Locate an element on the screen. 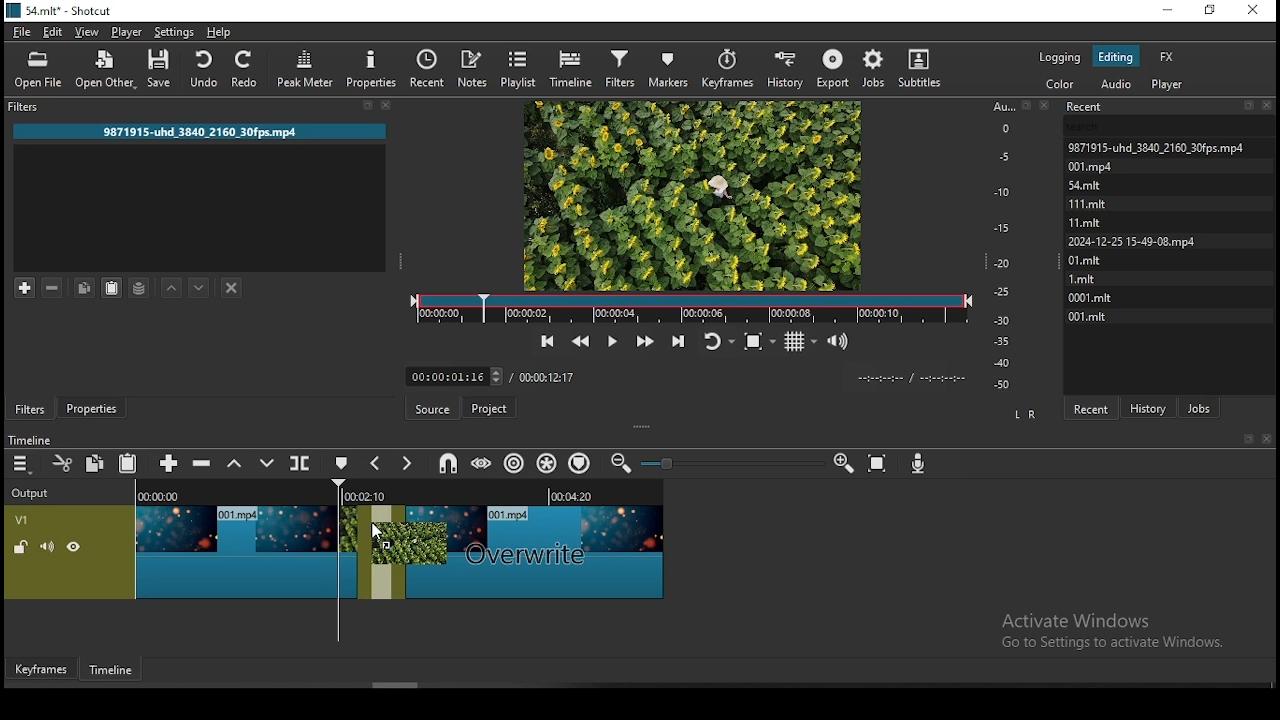  paste is located at coordinates (128, 462).